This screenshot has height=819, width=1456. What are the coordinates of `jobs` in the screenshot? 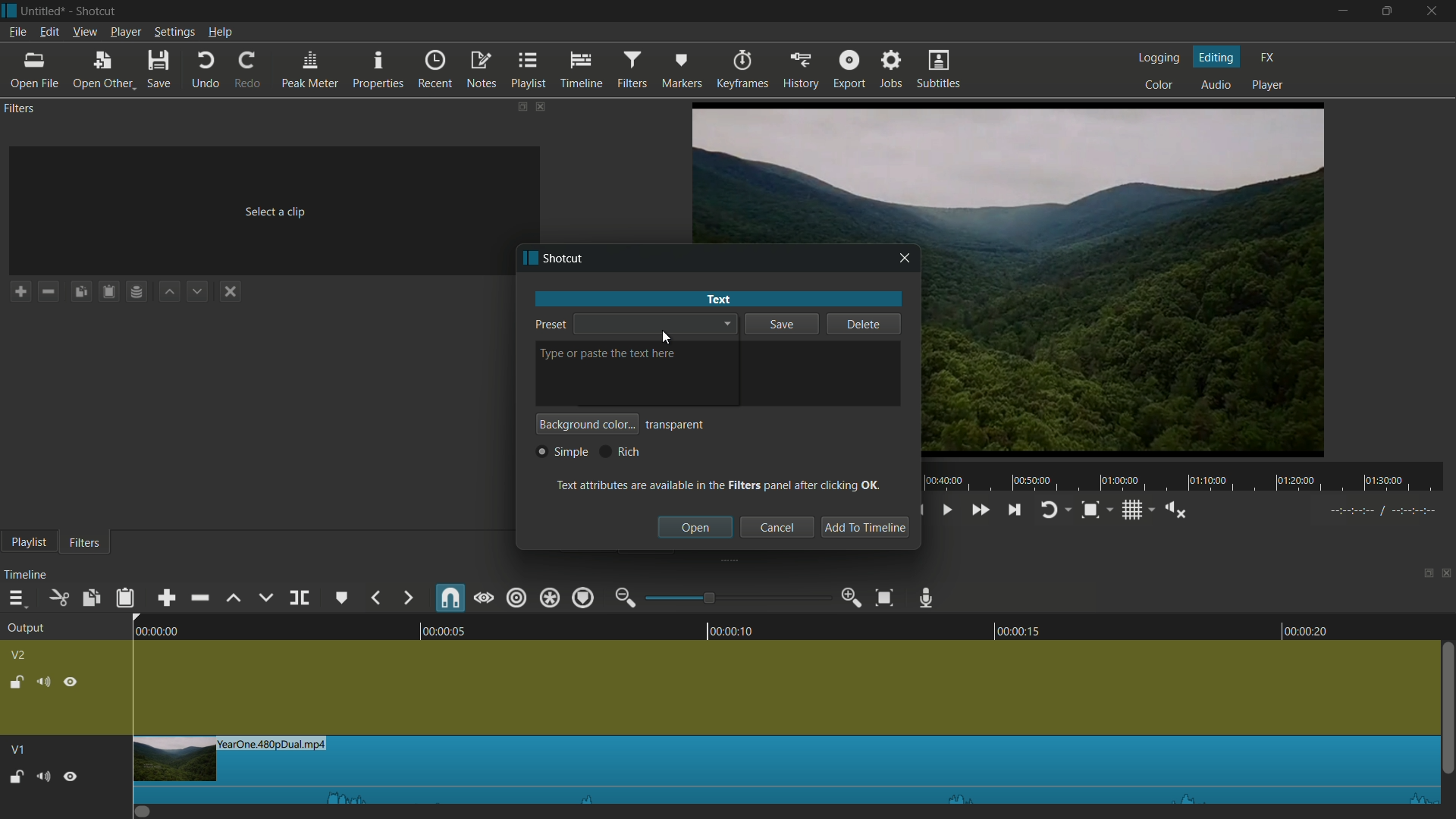 It's located at (893, 71).